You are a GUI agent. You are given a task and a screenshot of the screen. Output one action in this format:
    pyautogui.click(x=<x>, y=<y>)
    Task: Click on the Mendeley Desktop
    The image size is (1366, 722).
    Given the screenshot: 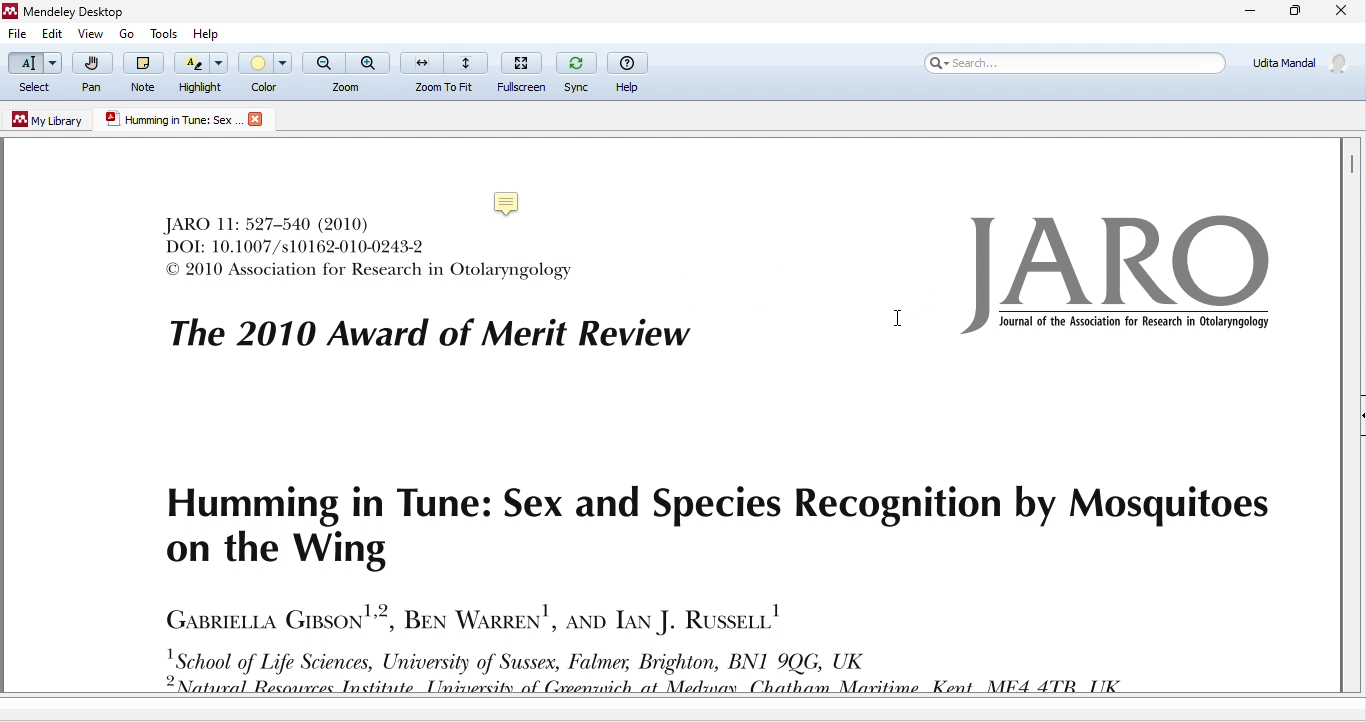 What is the action you would take?
    pyautogui.click(x=90, y=11)
    